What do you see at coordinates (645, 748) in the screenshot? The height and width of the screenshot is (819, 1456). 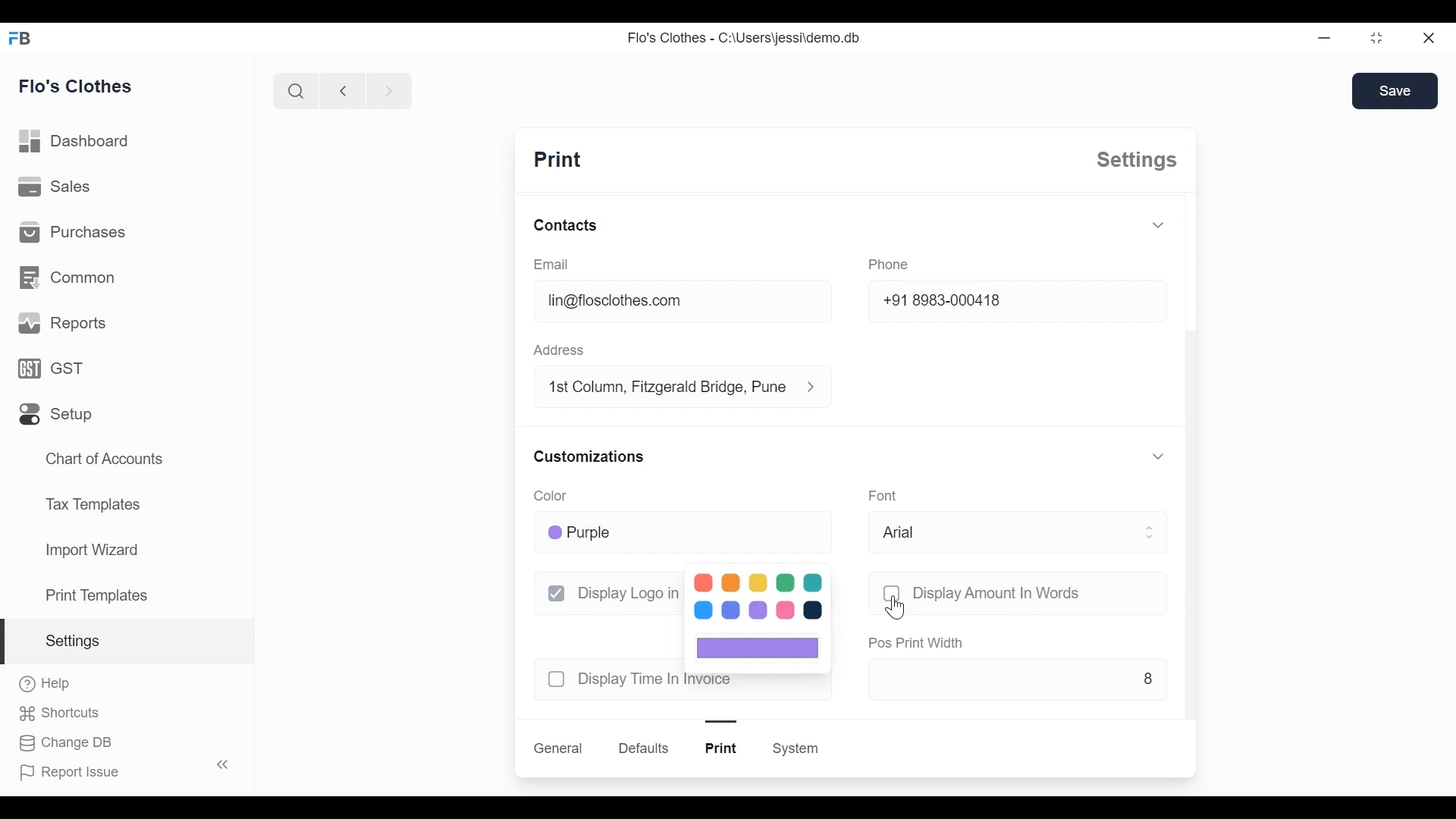 I see `defaults` at bounding box center [645, 748].